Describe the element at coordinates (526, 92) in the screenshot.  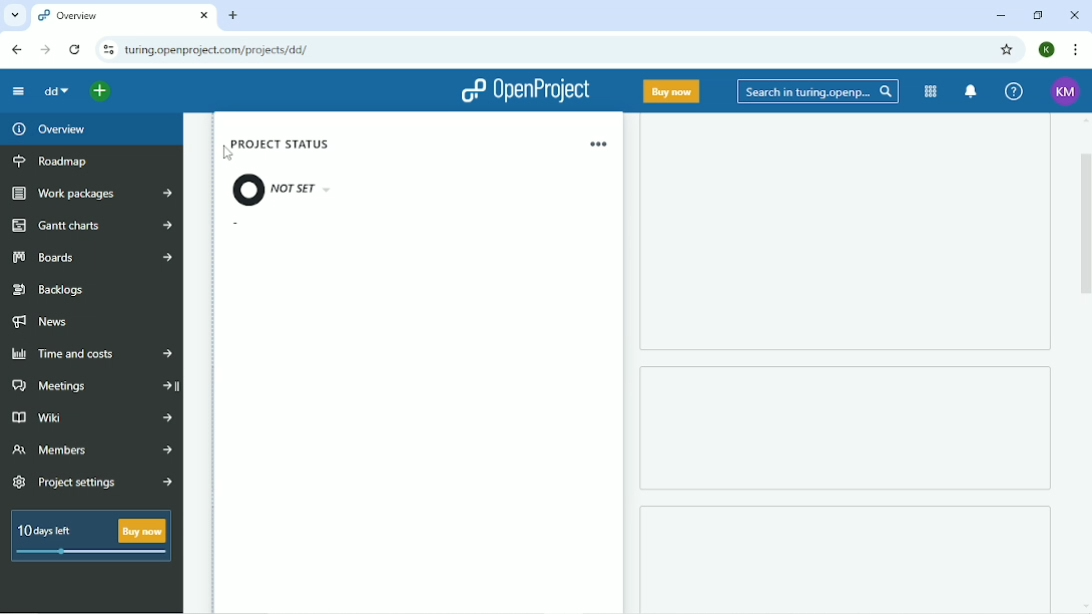
I see `OpenProject` at that location.